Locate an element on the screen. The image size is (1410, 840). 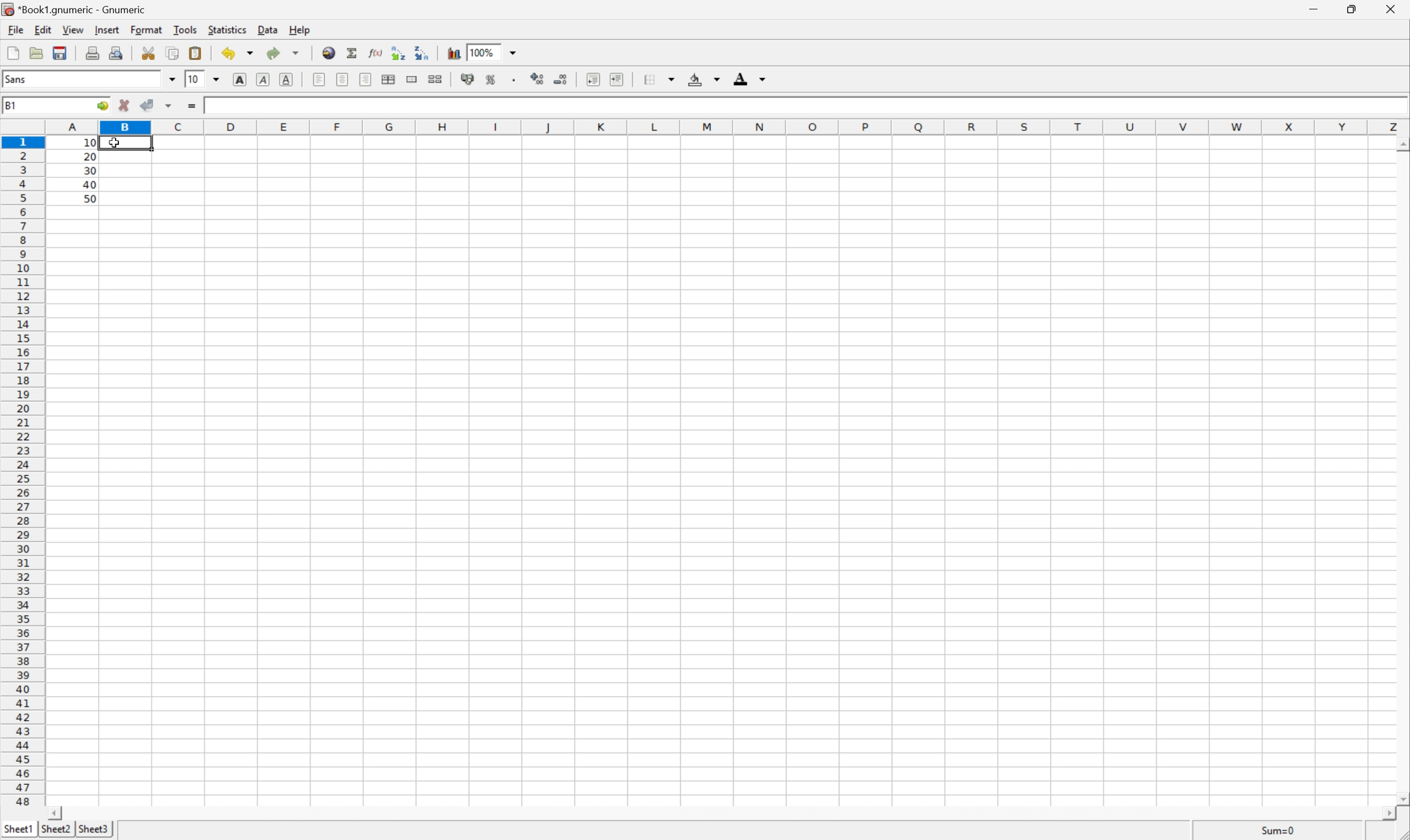
Redo is located at coordinates (282, 53).